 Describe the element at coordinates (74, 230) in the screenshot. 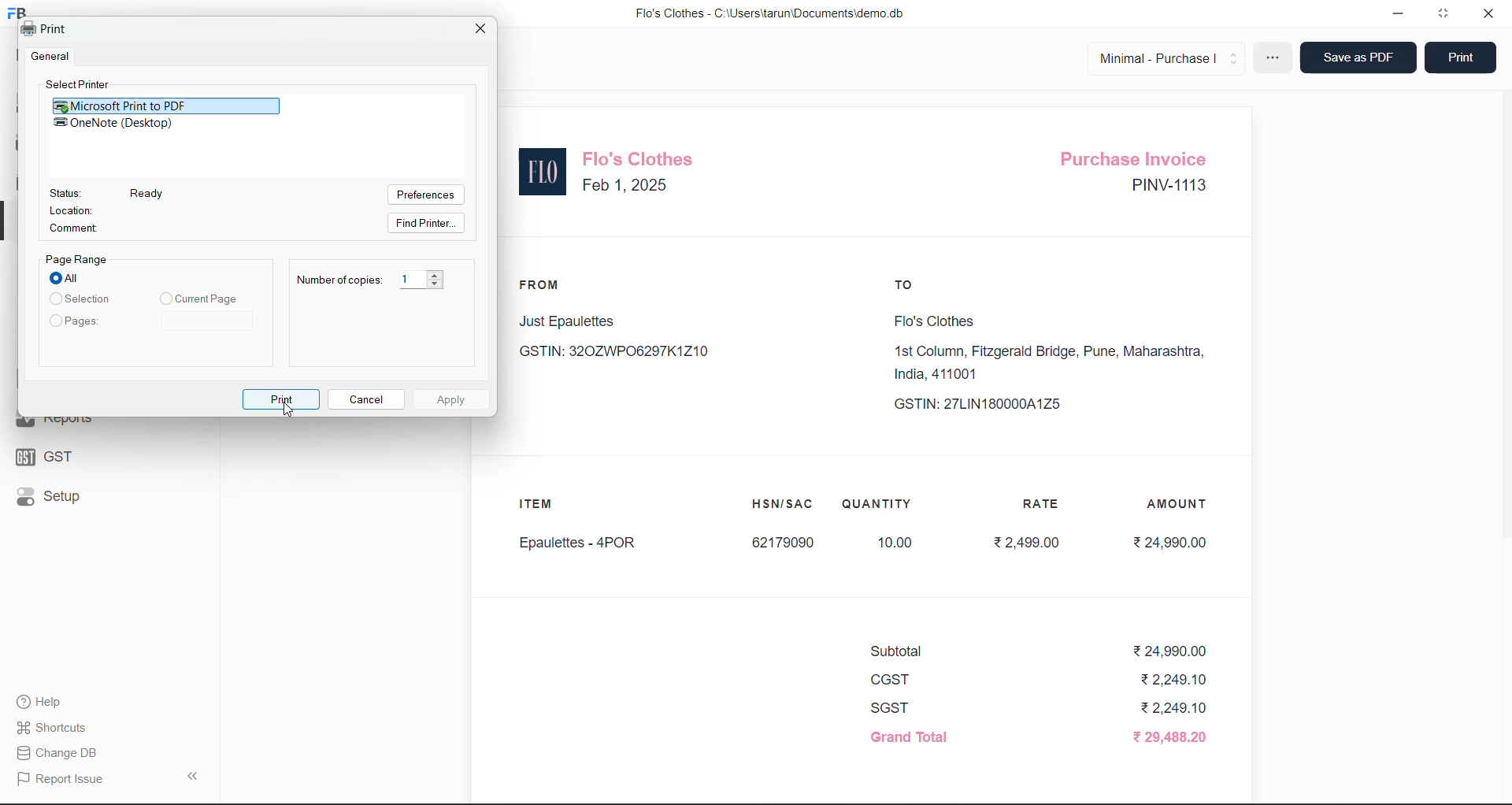

I see `Comment:` at that location.